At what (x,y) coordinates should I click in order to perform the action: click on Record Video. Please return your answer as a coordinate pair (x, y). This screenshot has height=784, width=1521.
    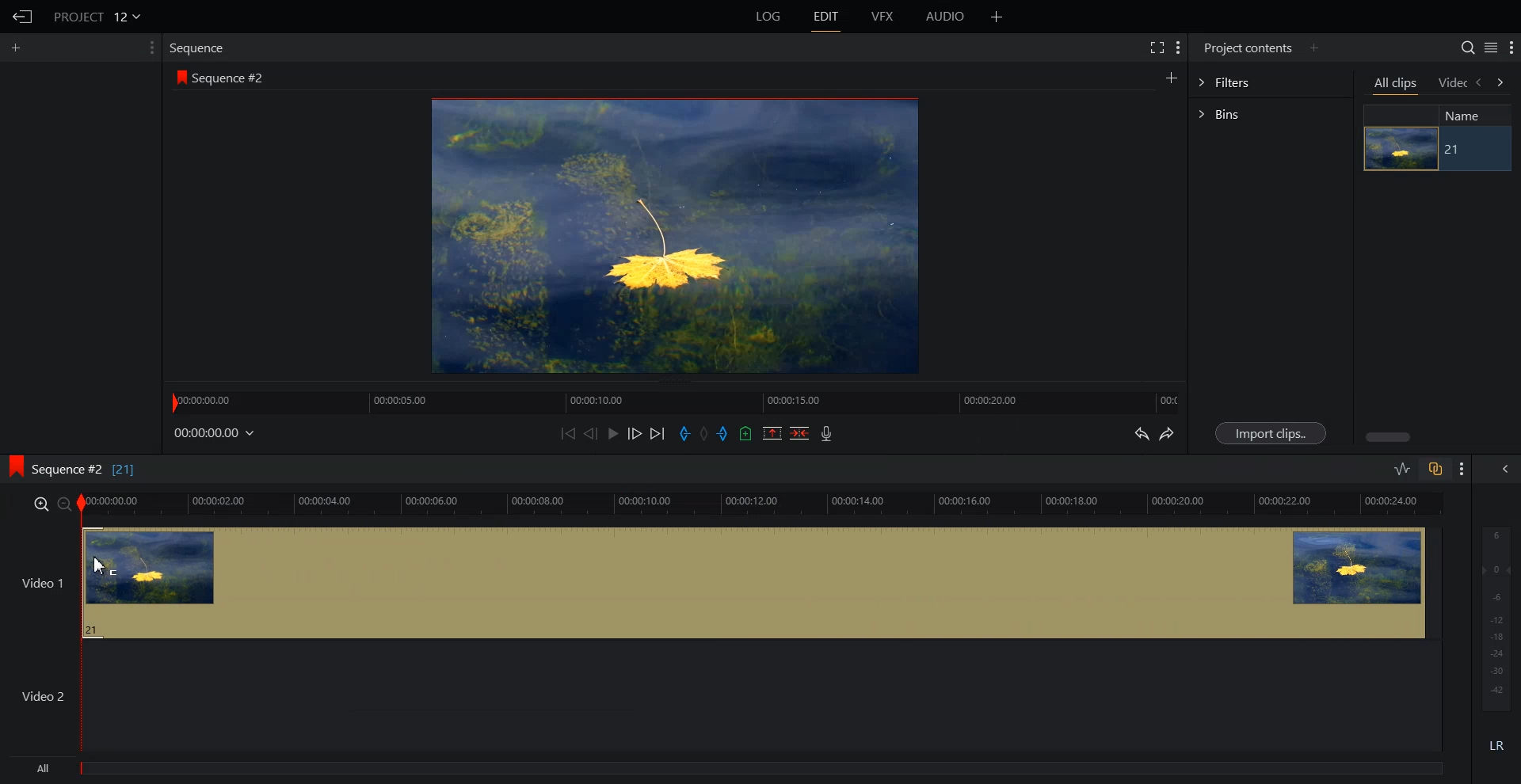
    Looking at the image, I should click on (828, 435).